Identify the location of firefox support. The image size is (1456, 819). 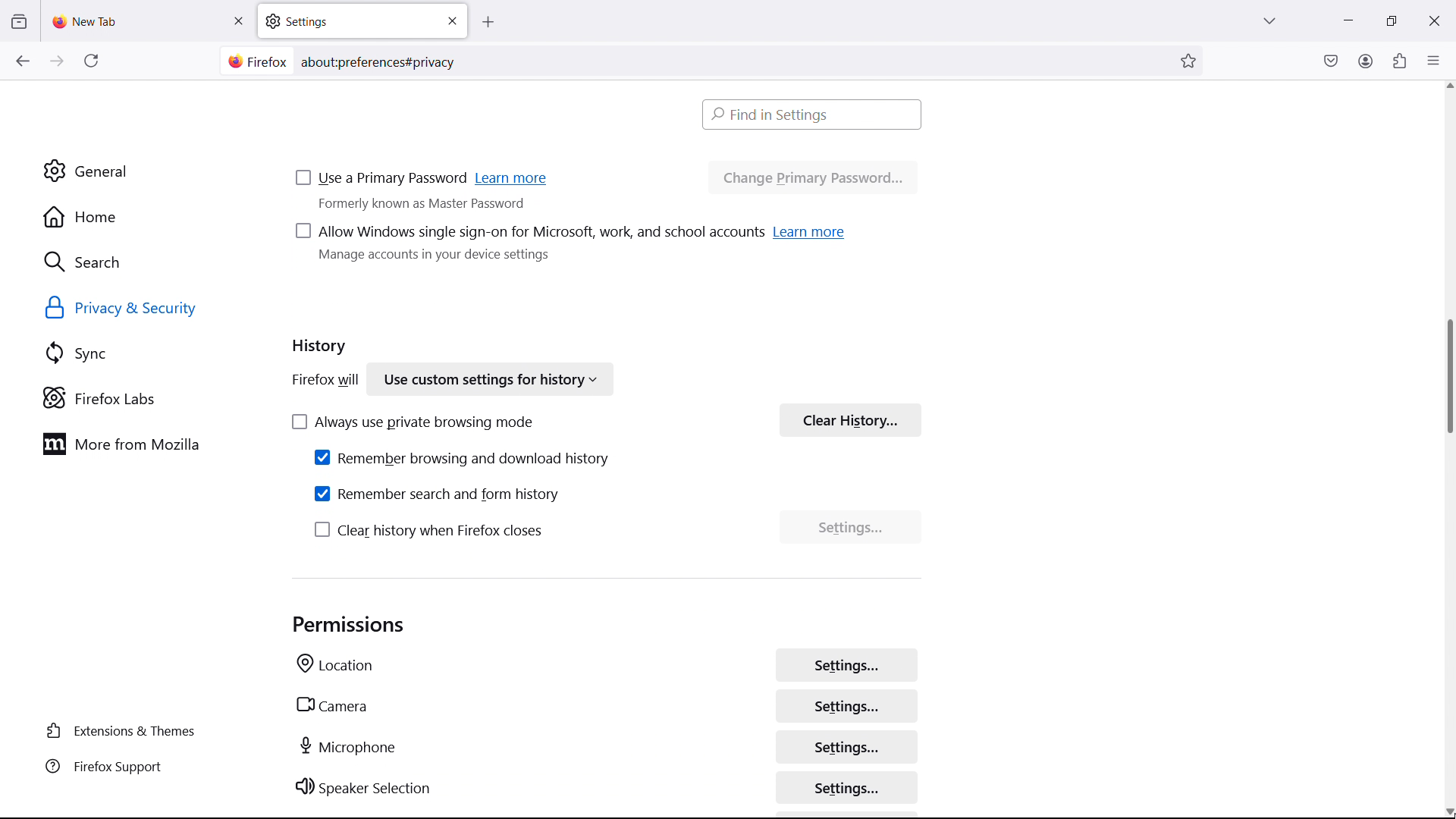
(124, 767).